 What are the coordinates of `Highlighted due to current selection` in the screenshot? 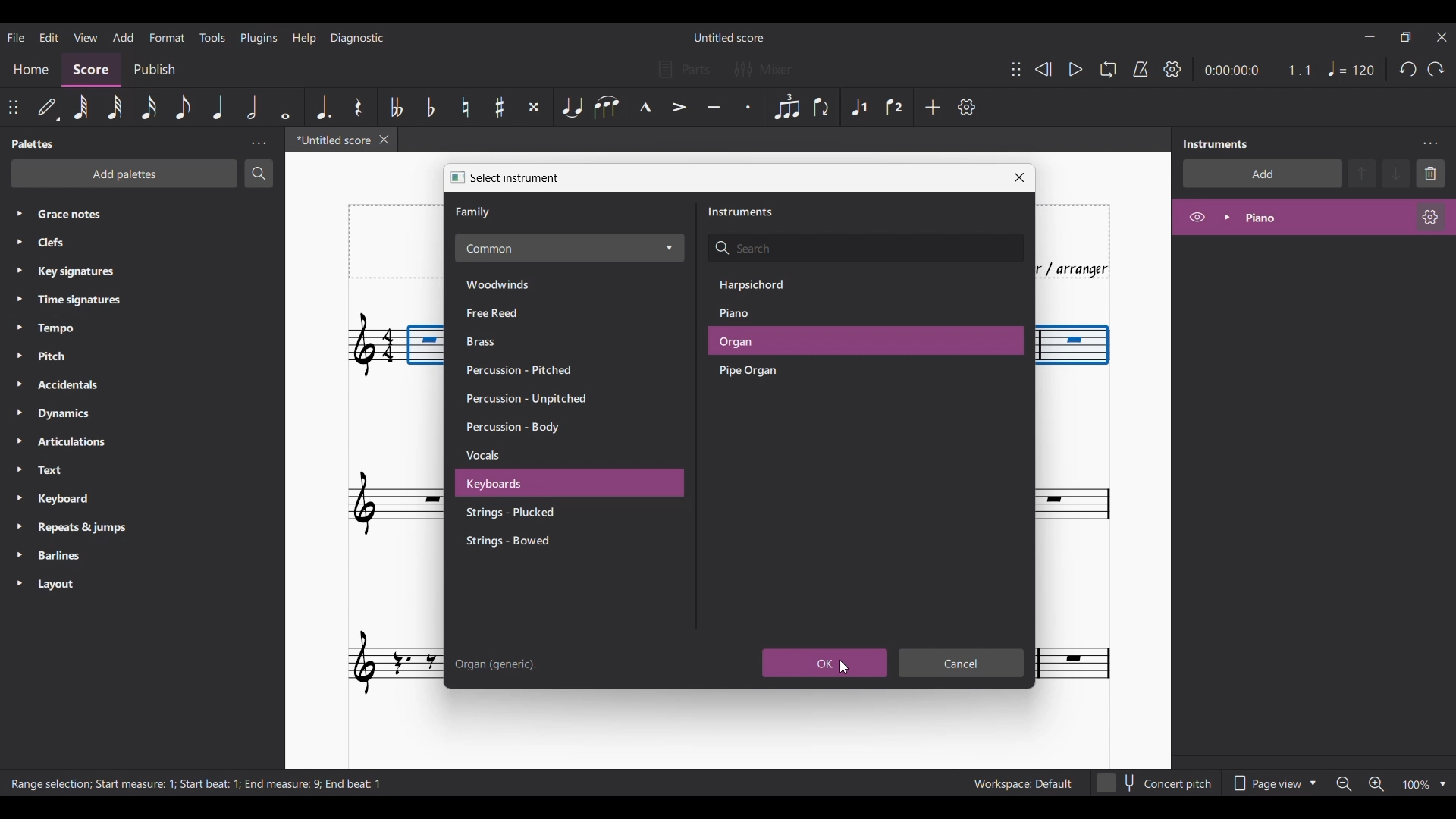 It's located at (860, 107).